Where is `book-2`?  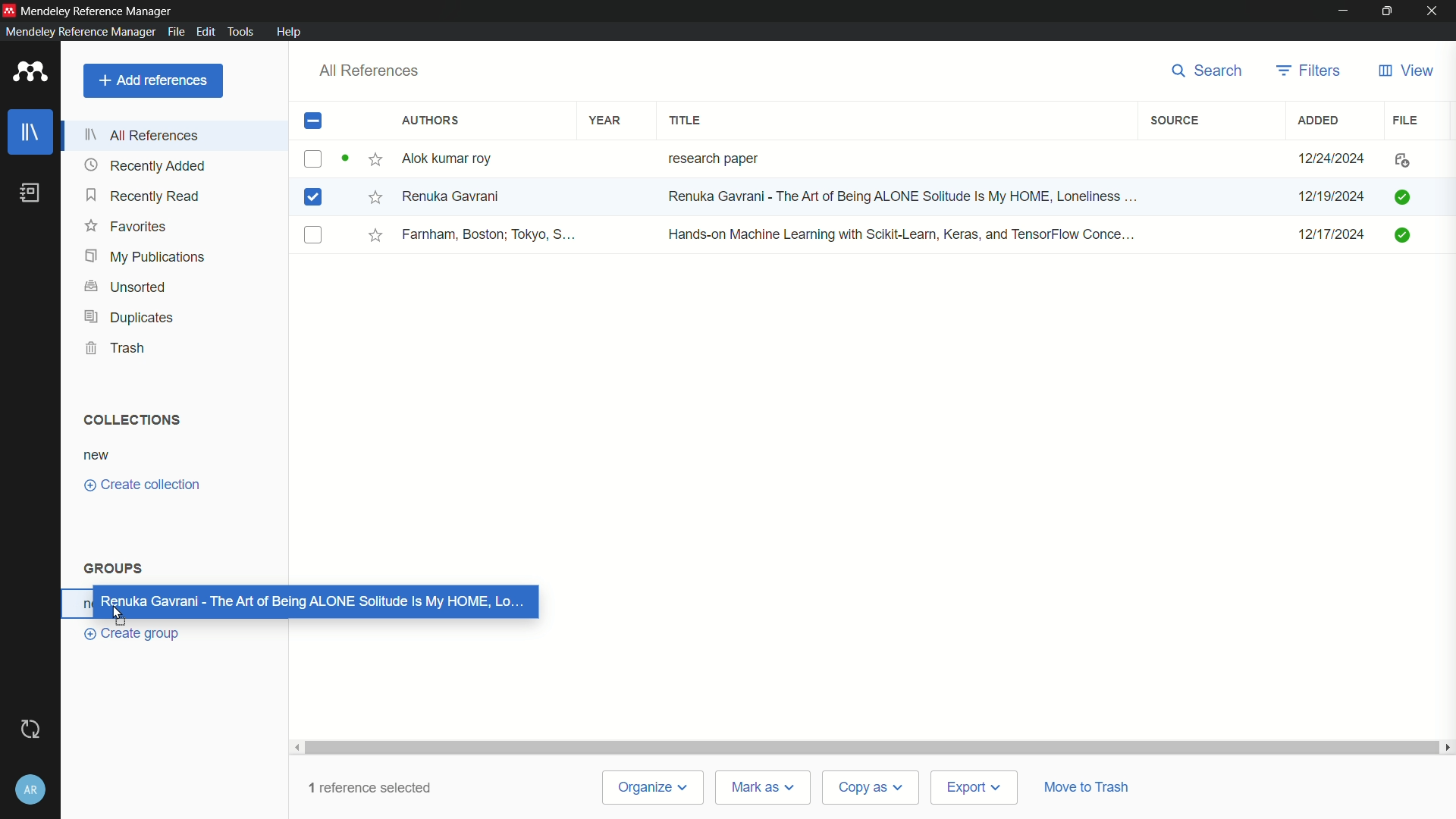 book-2 is located at coordinates (315, 199).